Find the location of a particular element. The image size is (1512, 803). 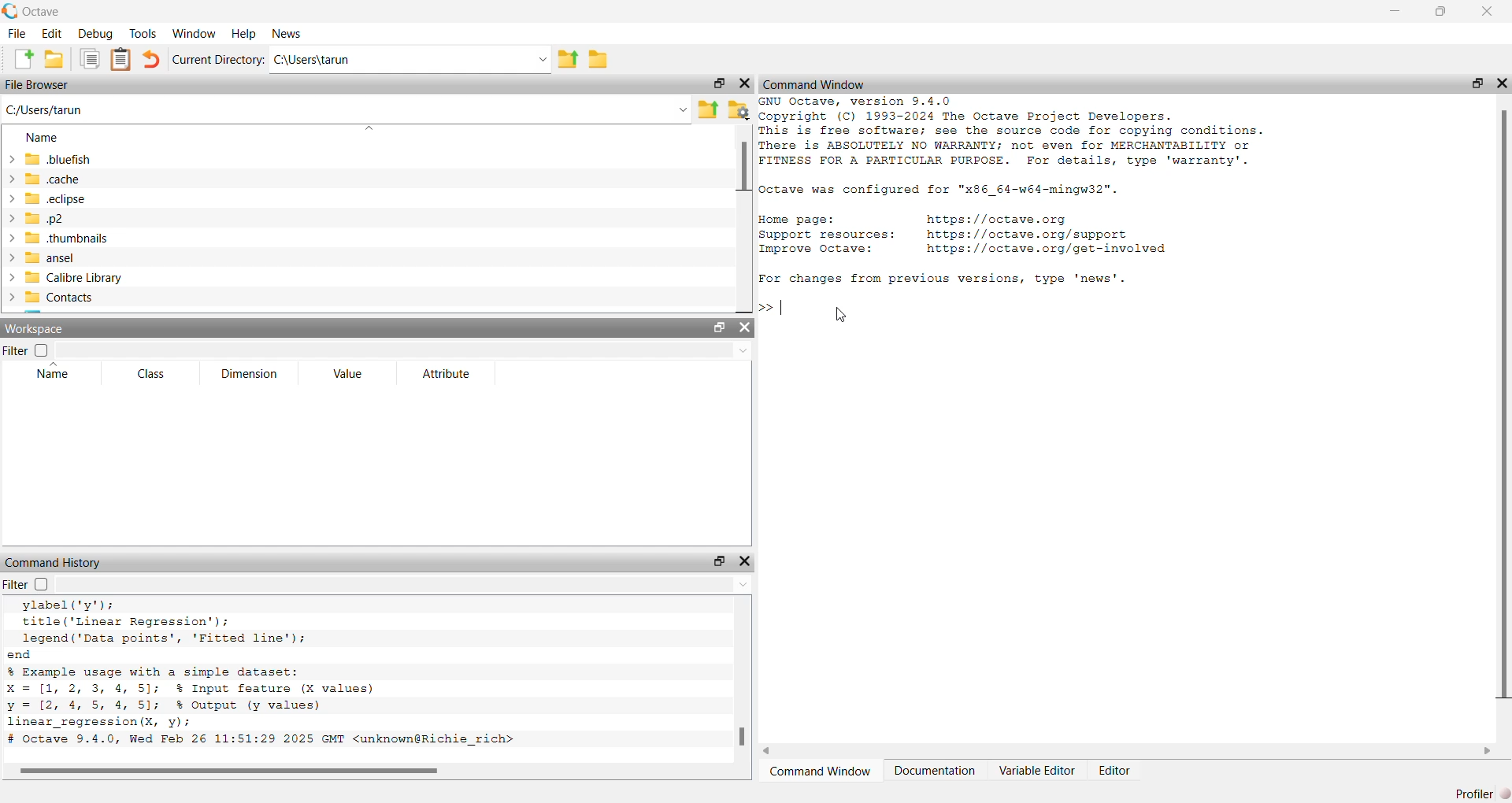

details of resources of octave is located at coordinates (969, 234).